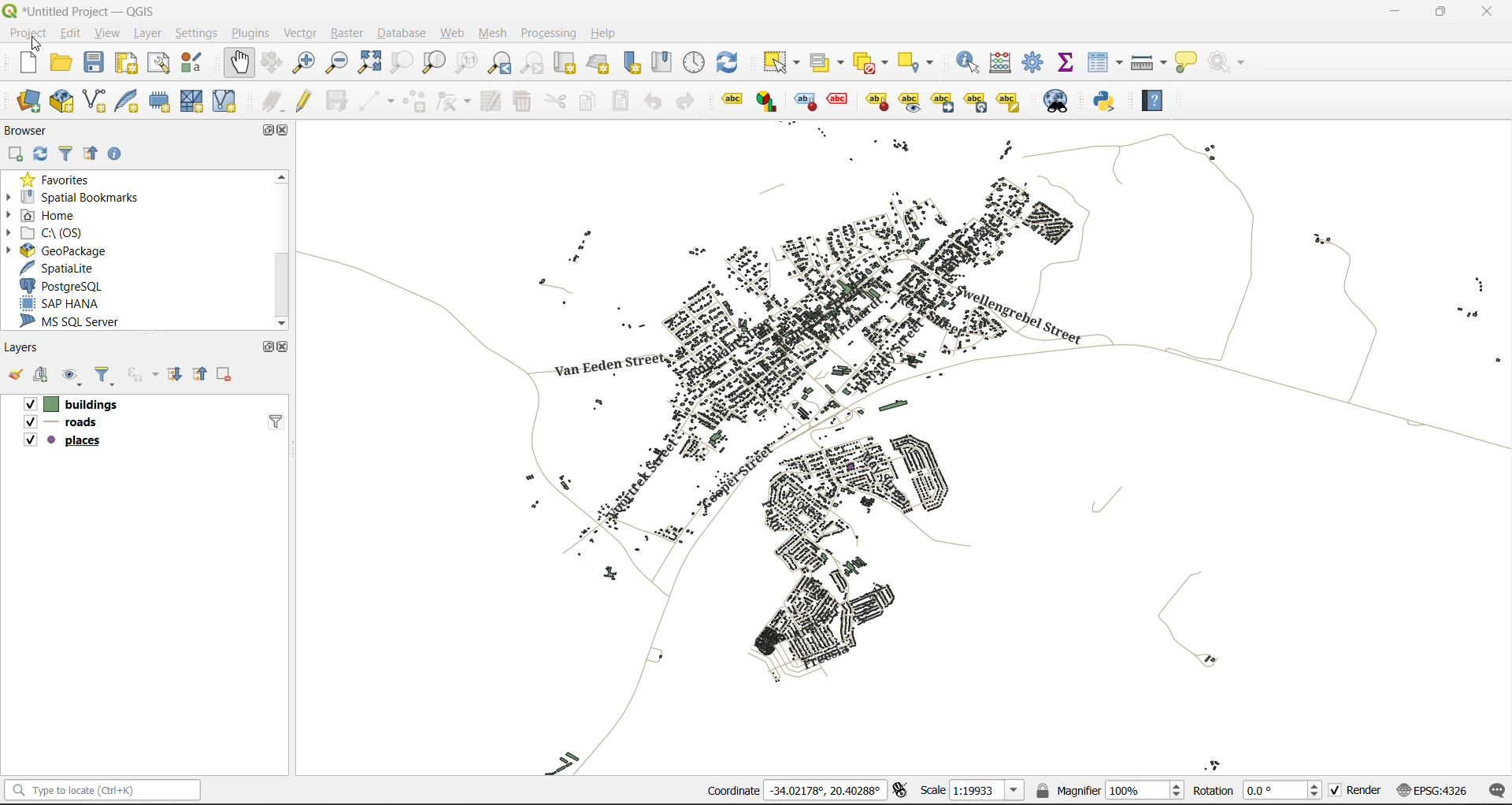 Image resolution: width=1512 pixels, height=805 pixels. I want to click on select, so click(784, 62).